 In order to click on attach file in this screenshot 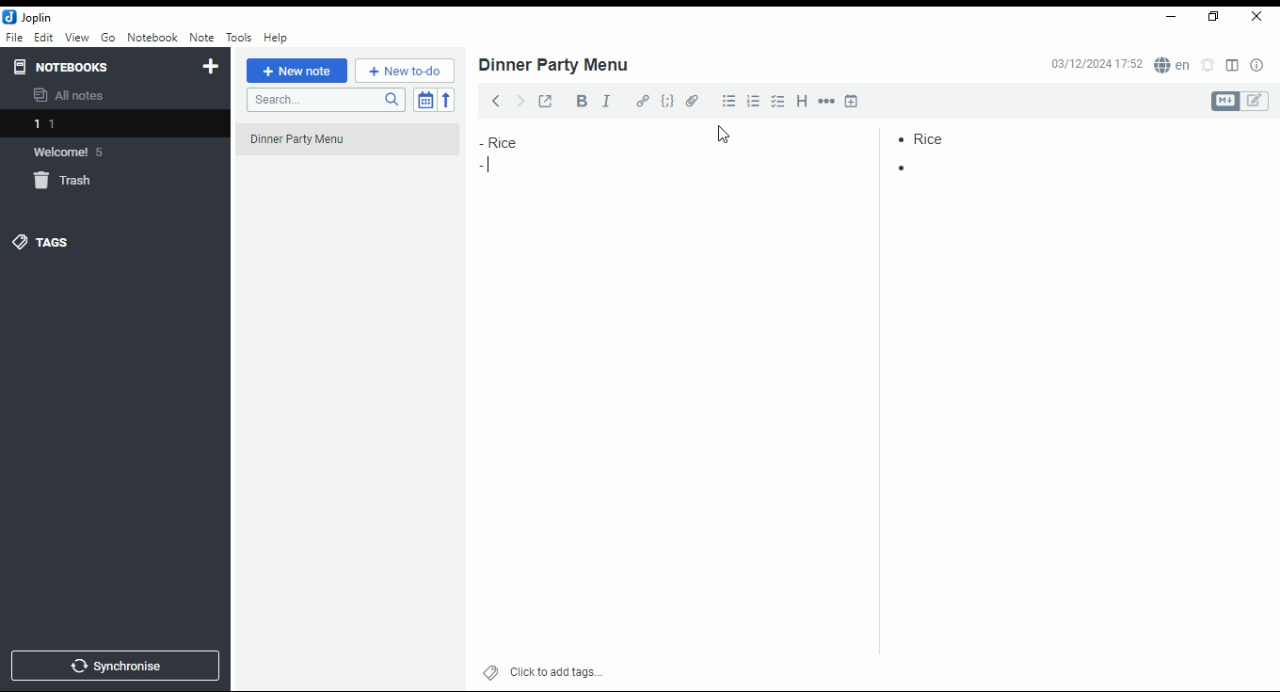, I will do `click(695, 100)`.